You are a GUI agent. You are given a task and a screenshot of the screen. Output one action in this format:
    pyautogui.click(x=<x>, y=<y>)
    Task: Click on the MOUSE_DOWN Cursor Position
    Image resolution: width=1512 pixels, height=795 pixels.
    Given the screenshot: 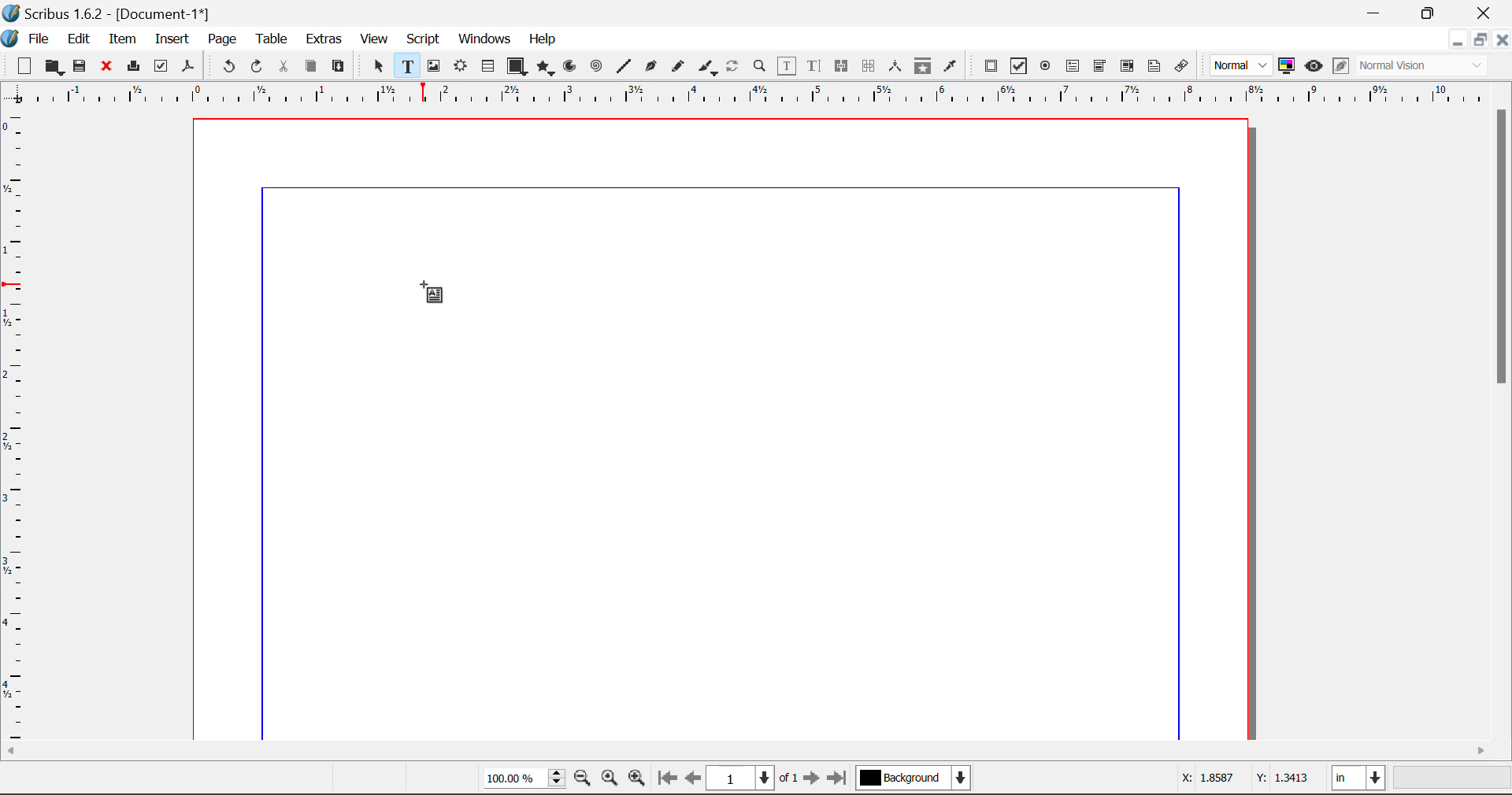 What is the action you would take?
    pyautogui.click(x=430, y=290)
    